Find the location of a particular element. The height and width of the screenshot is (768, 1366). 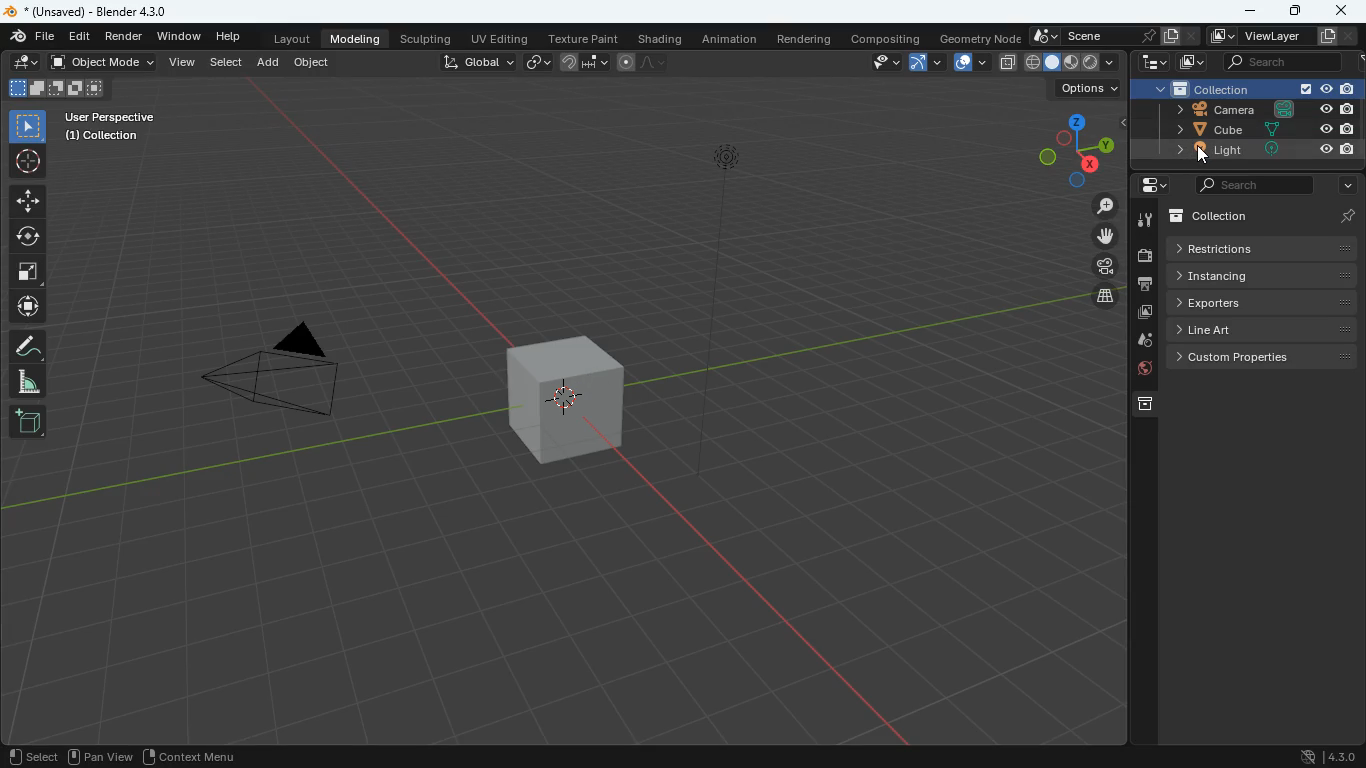

select is located at coordinates (226, 63).